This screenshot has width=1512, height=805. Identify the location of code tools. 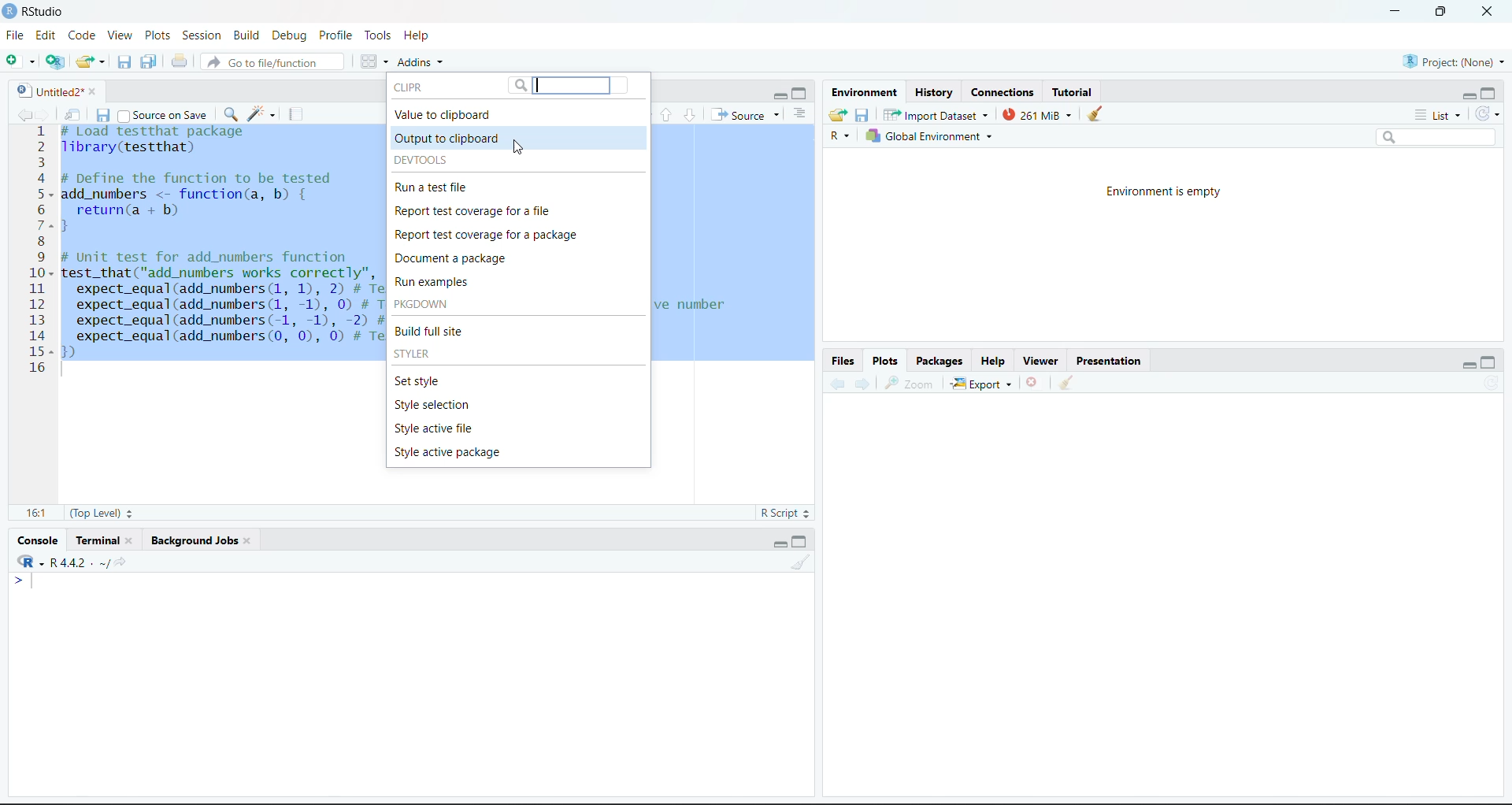
(261, 113).